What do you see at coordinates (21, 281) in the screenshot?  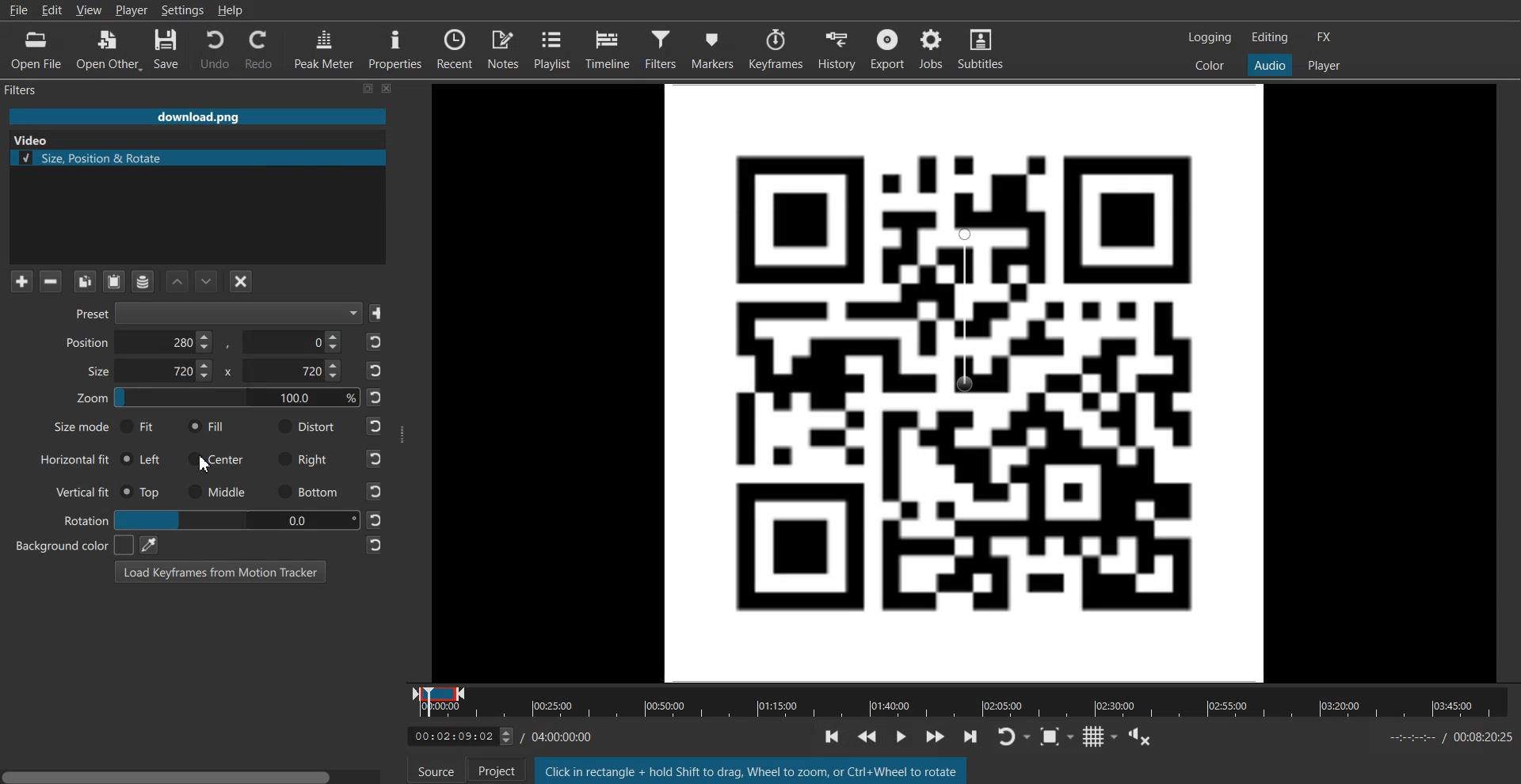 I see `Add Filter` at bounding box center [21, 281].